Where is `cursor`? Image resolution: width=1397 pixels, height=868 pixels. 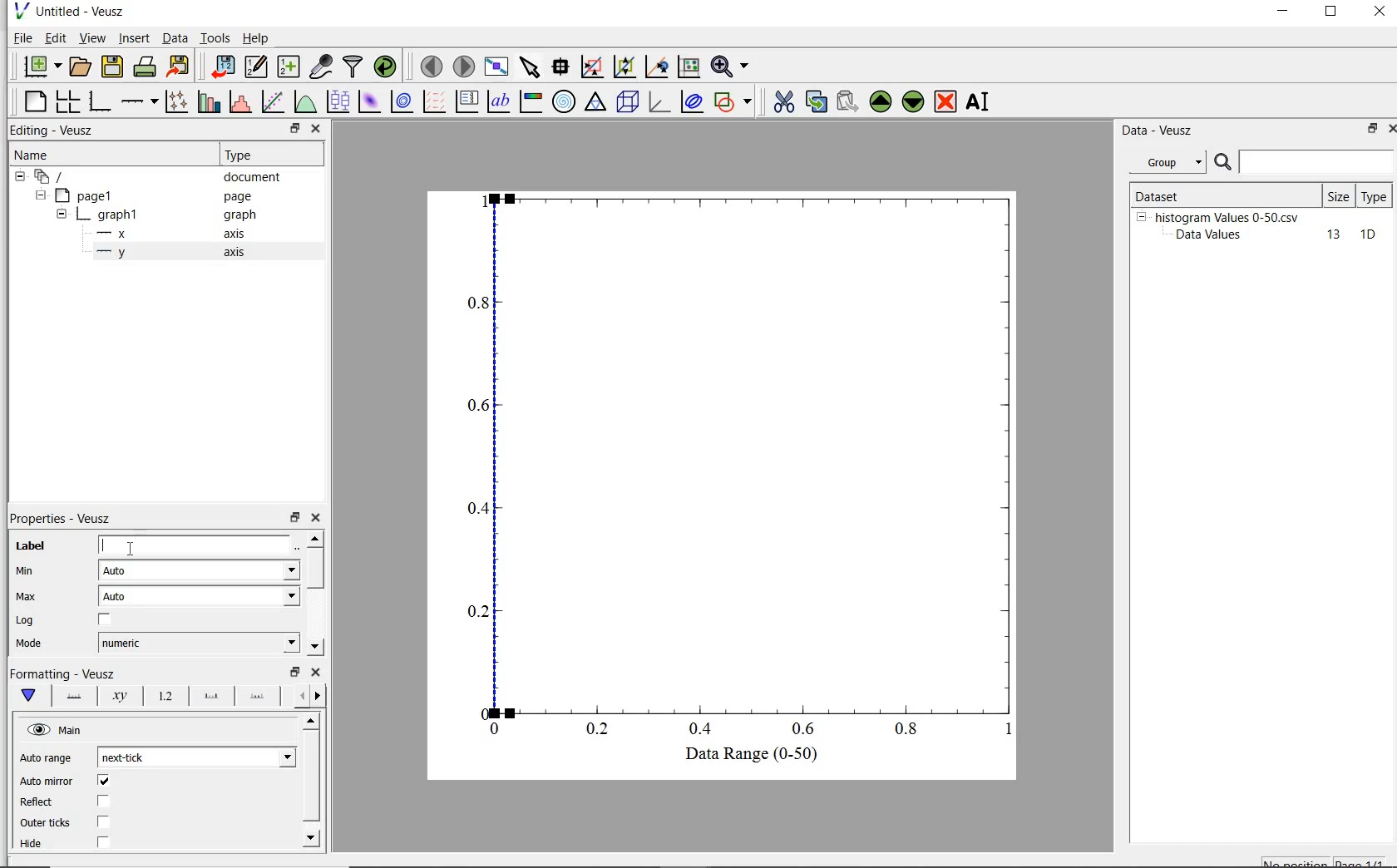
cursor is located at coordinates (131, 549).